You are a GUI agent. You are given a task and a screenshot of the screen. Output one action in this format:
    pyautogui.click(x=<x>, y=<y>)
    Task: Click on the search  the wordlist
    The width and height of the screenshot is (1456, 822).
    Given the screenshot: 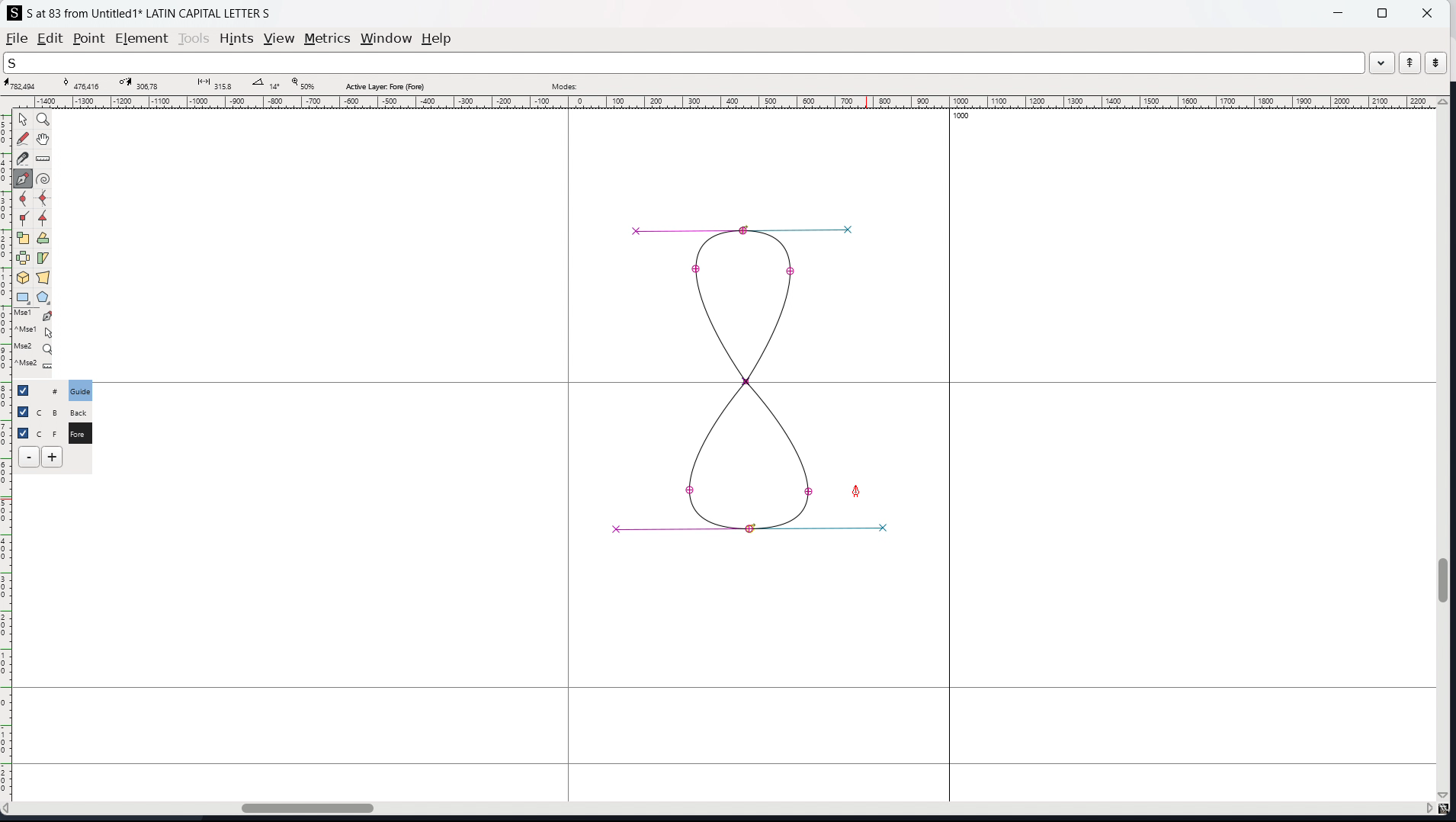 What is the action you would take?
    pyautogui.click(x=684, y=63)
    